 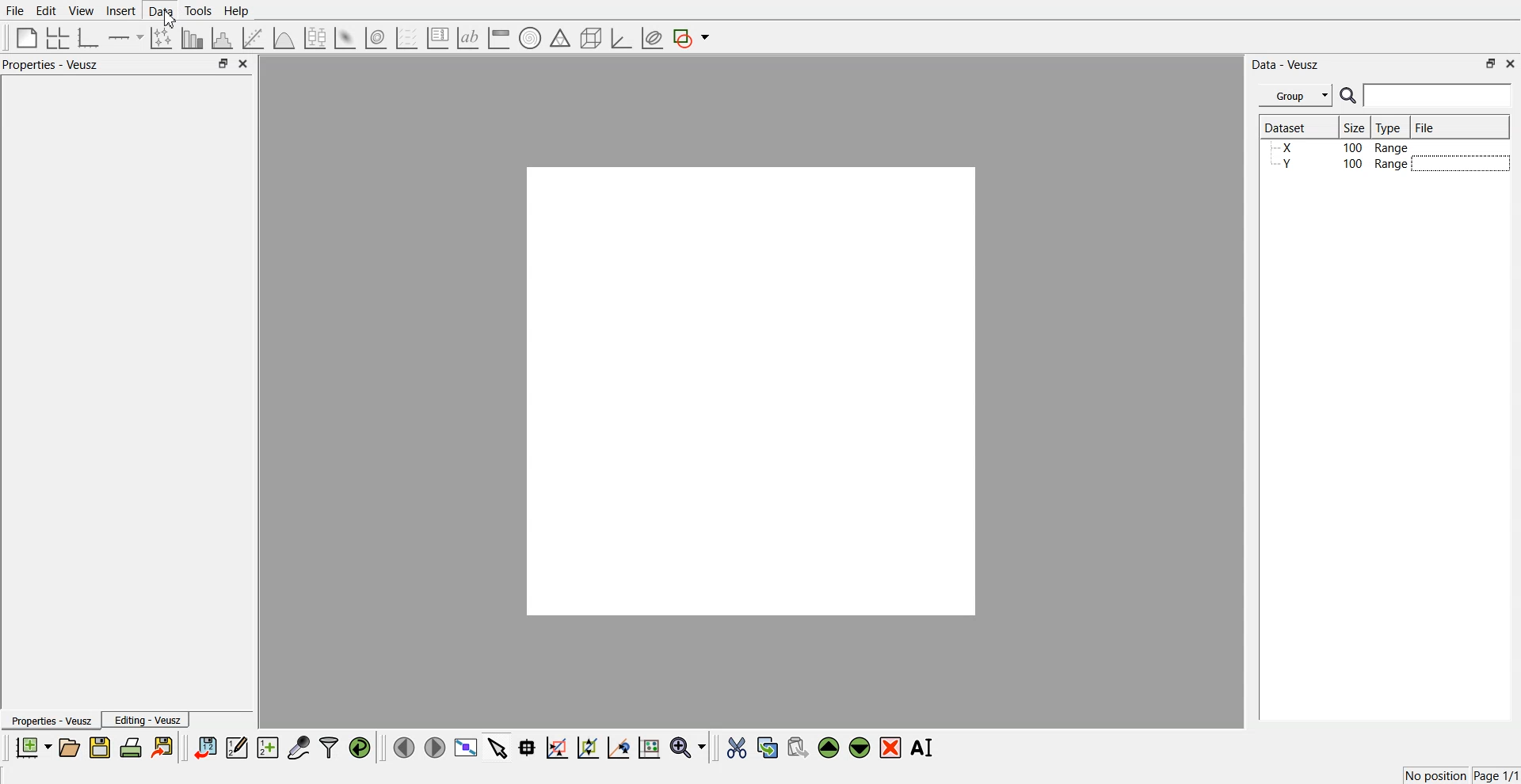 What do you see at coordinates (345, 38) in the screenshot?
I see `3D Surface` at bounding box center [345, 38].